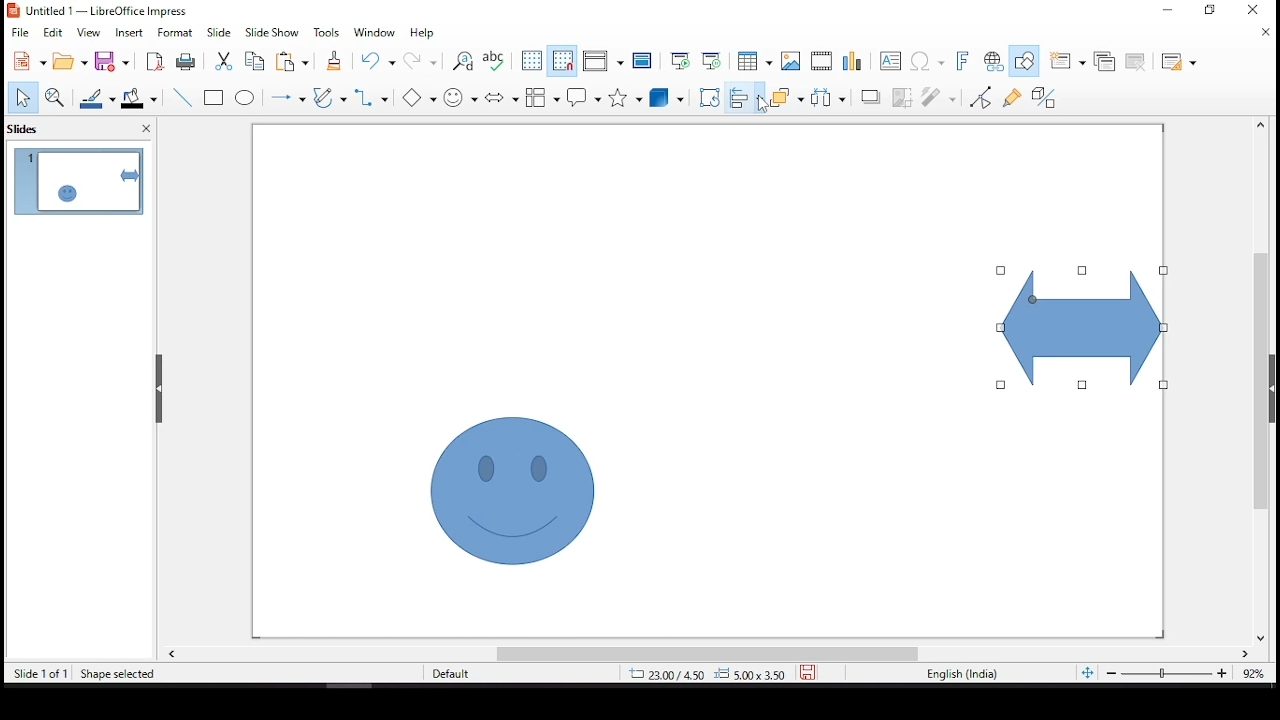 The width and height of the screenshot is (1280, 720). I want to click on stars and banners, so click(622, 97).